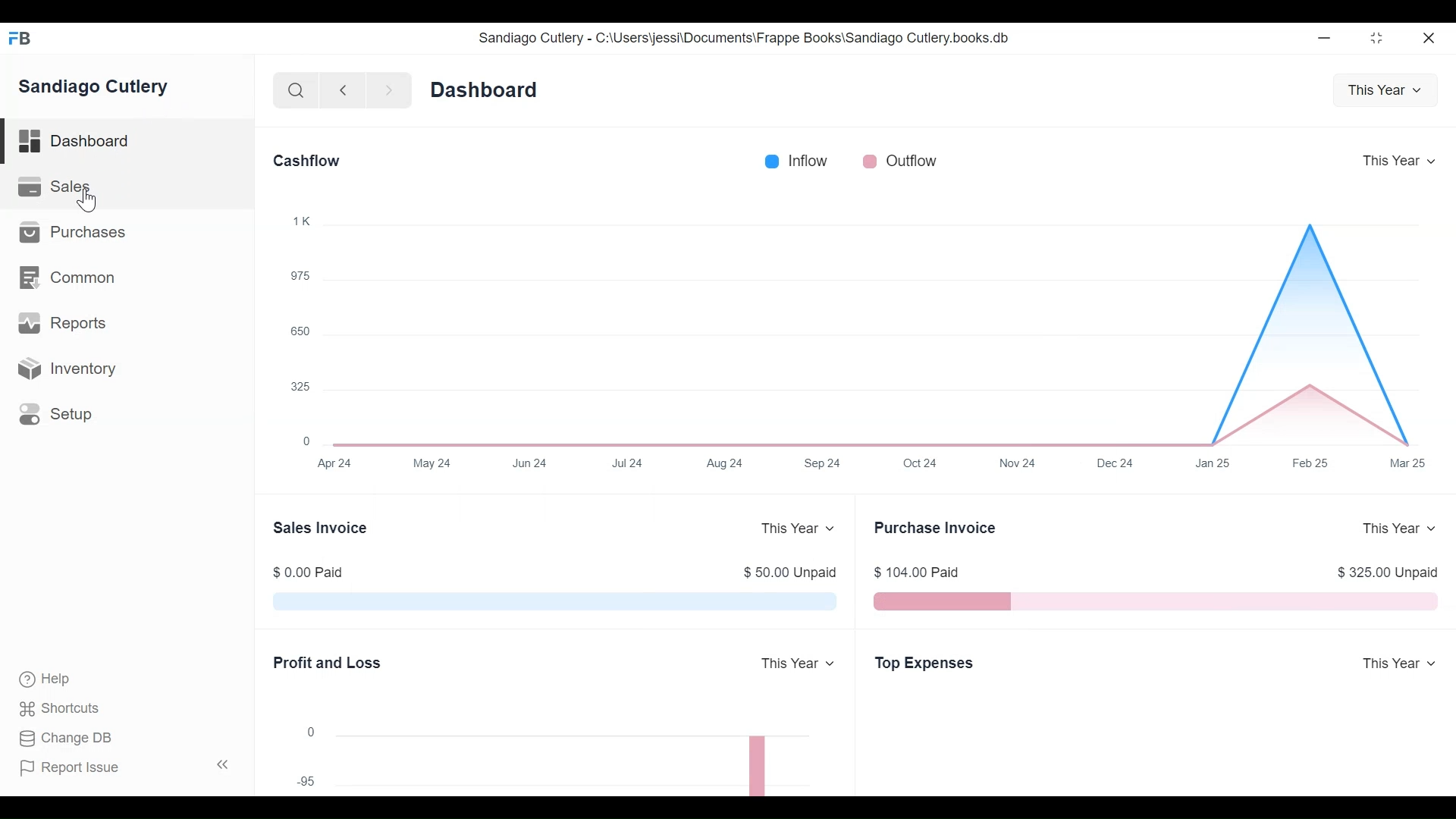  What do you see at coordinates (1376, 37) in the screenshot?
I see `restore` at bounding box center [1376, 37].